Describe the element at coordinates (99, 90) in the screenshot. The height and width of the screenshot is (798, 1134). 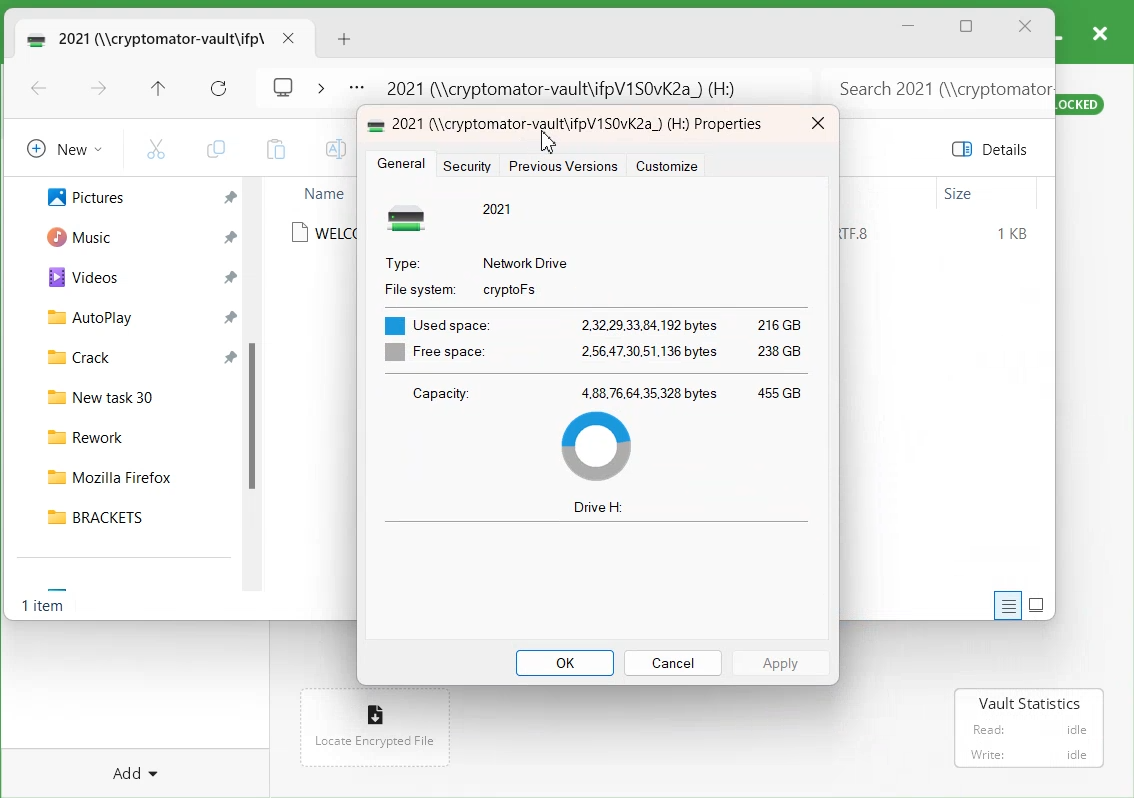
I see `Go forward` at that location.